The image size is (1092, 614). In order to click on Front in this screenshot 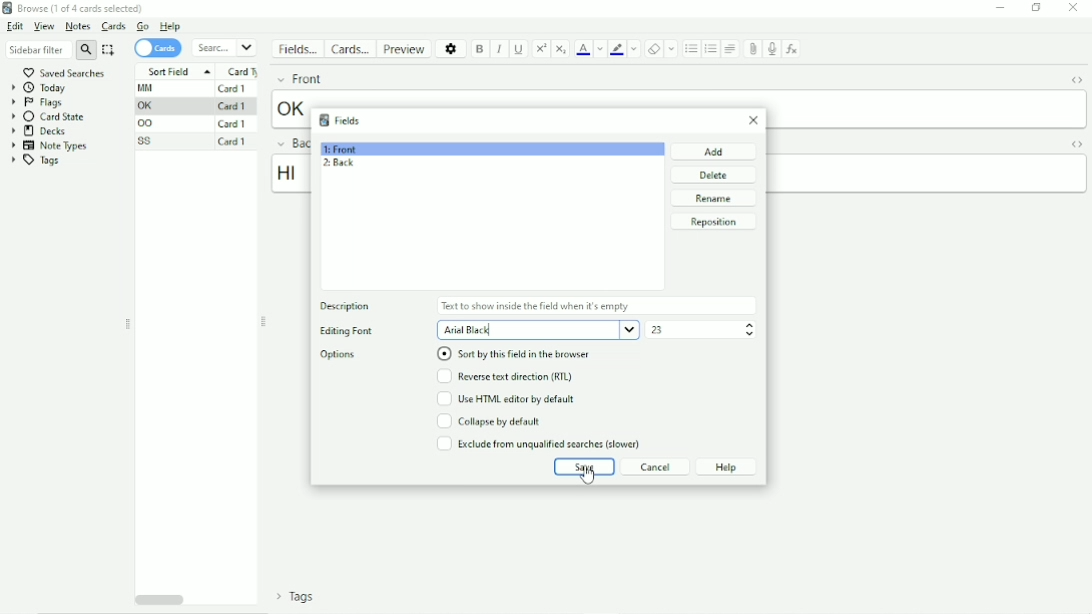, I will do `click(297, 79)`.